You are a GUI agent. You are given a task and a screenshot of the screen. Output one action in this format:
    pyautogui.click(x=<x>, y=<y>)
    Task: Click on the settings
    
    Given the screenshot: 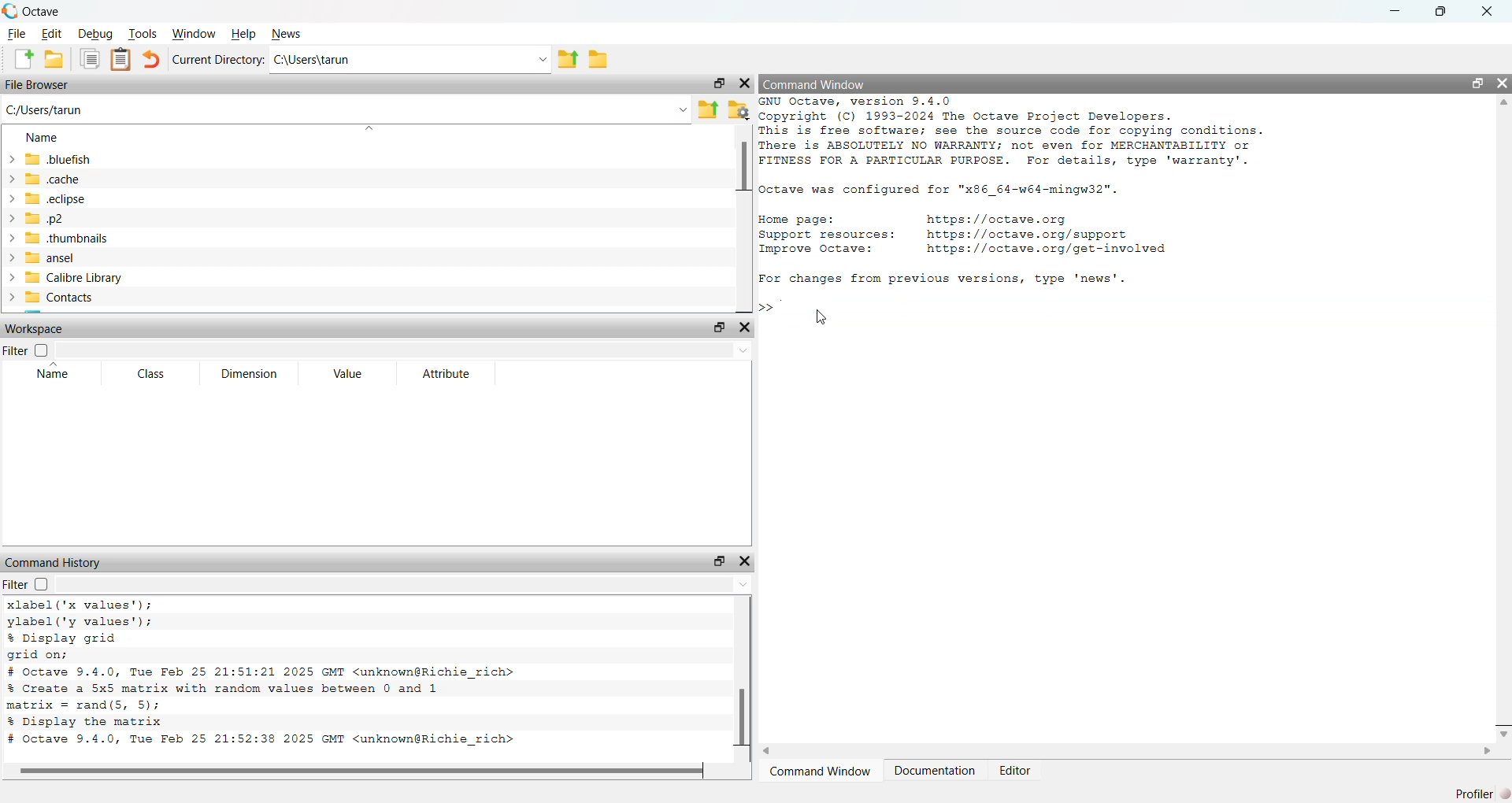 What is the action you would take?
    pyautogui.click(x=739, y=112)
    